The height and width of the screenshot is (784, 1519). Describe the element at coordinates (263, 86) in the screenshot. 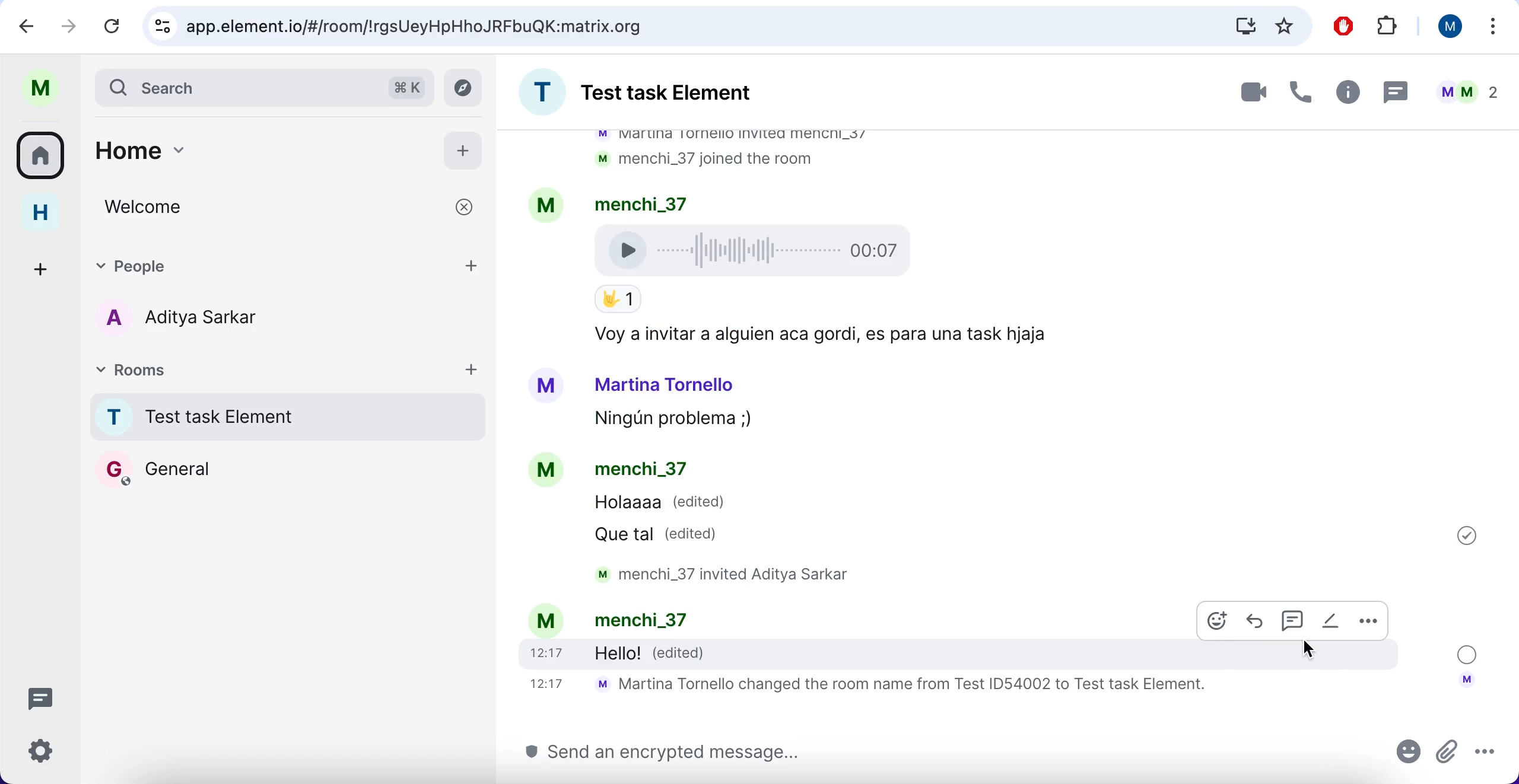

I see `search bar` at that location.